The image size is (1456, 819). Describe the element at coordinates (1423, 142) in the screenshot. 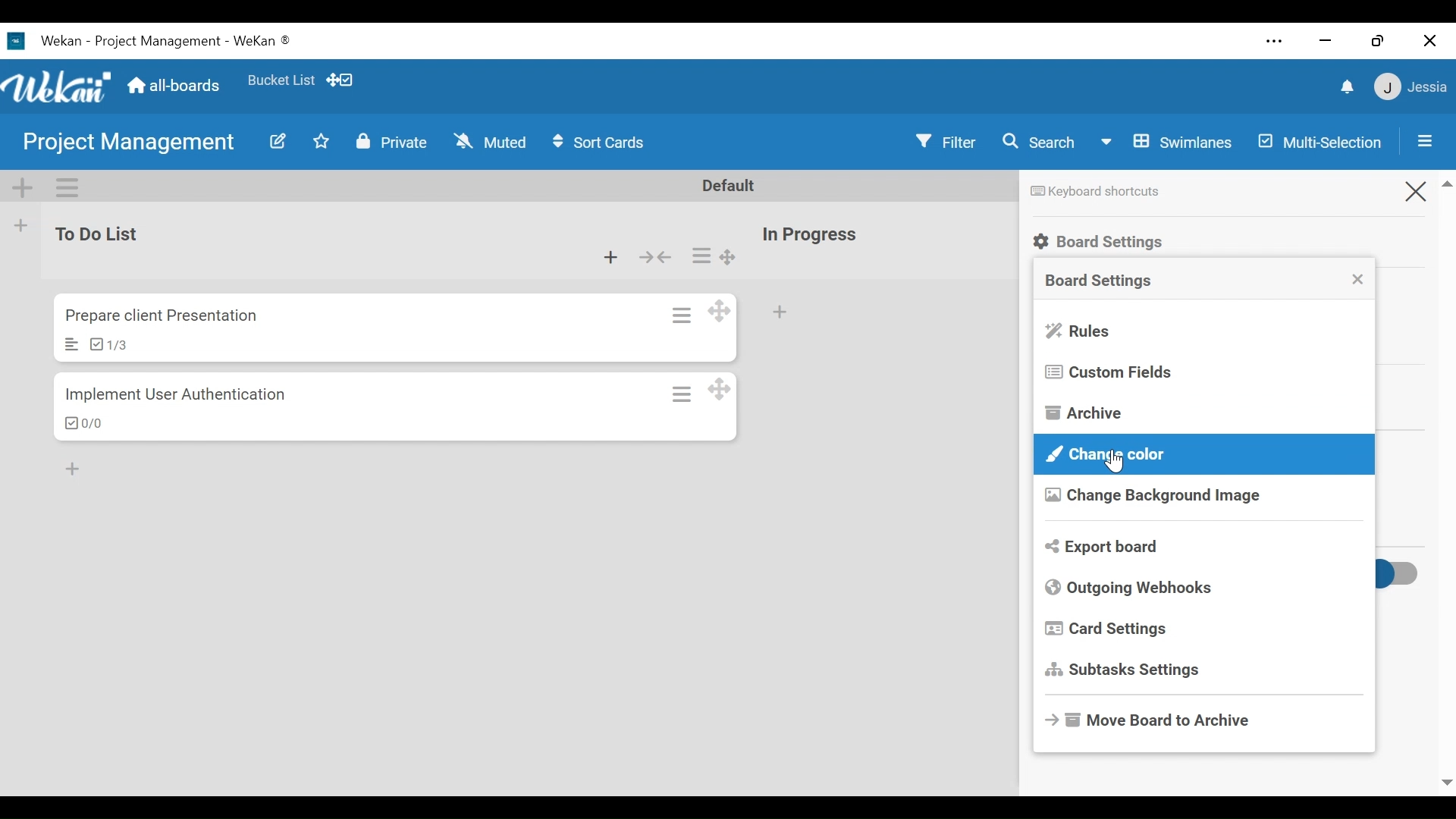

I see `Open/Close Side Pane` at that location.